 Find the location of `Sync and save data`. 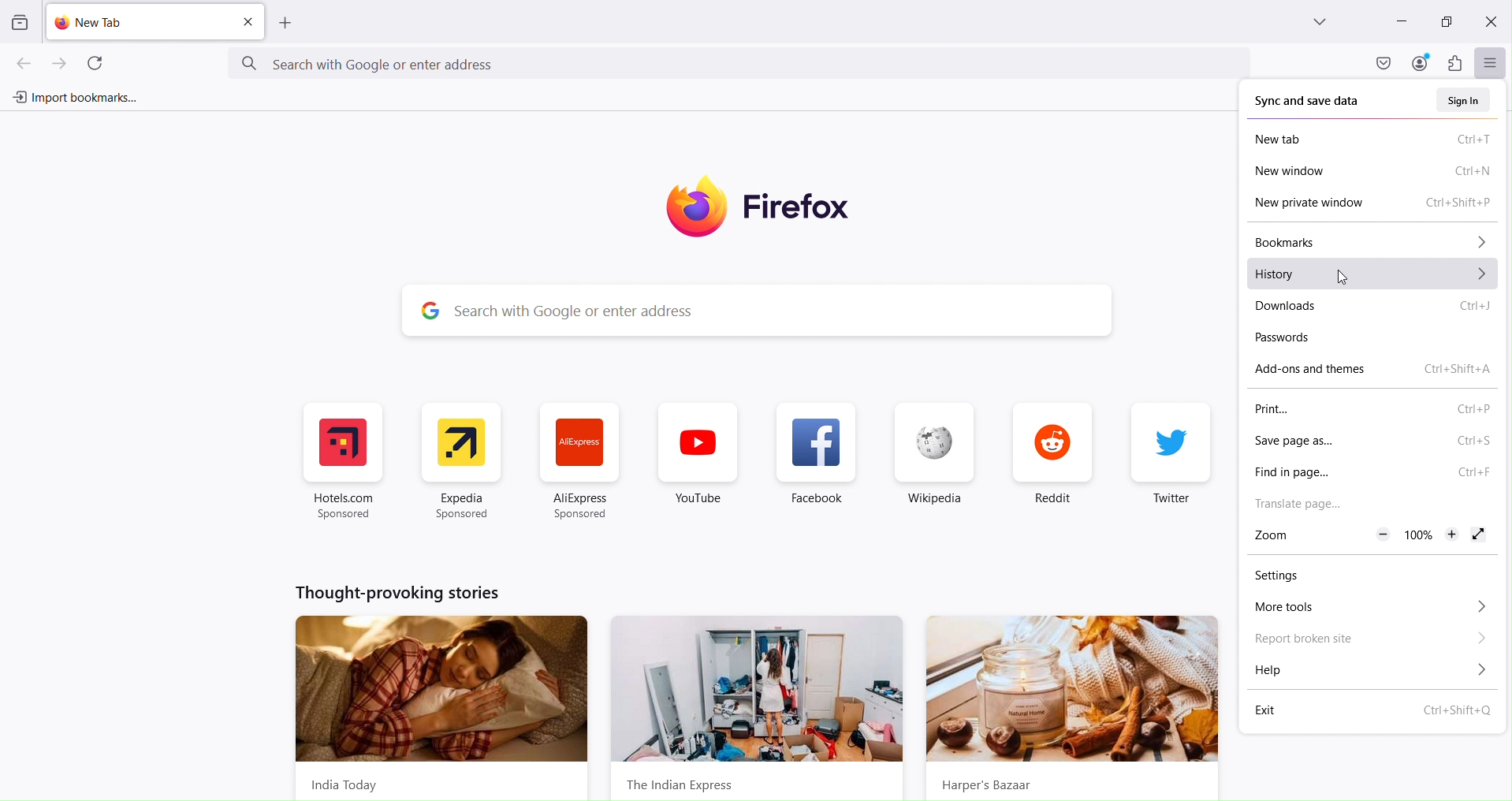

Sync and save data is located at coordinates (1325, 102).